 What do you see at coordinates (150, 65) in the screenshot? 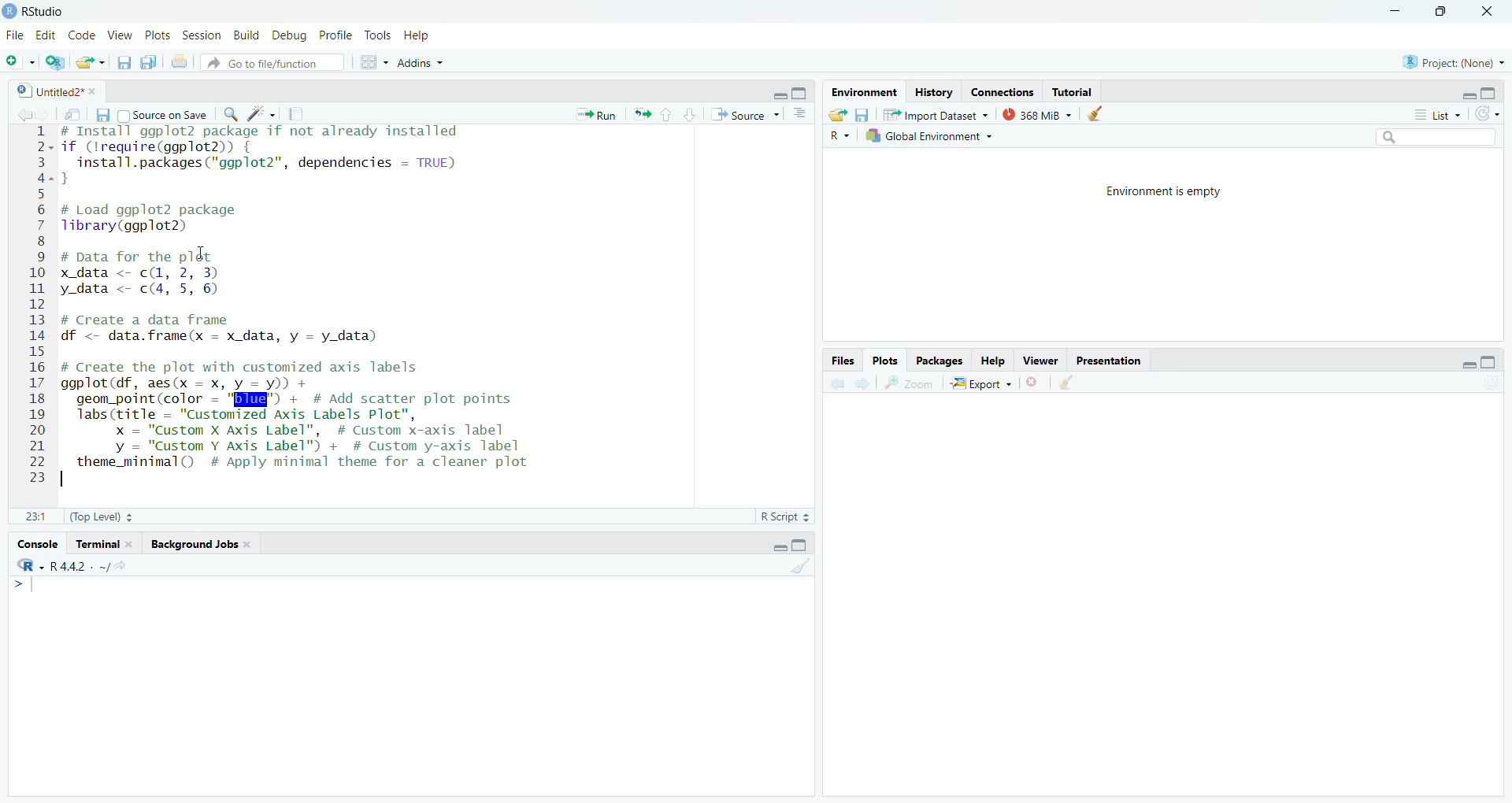
I see `copy` at bounding box center [150, 65].